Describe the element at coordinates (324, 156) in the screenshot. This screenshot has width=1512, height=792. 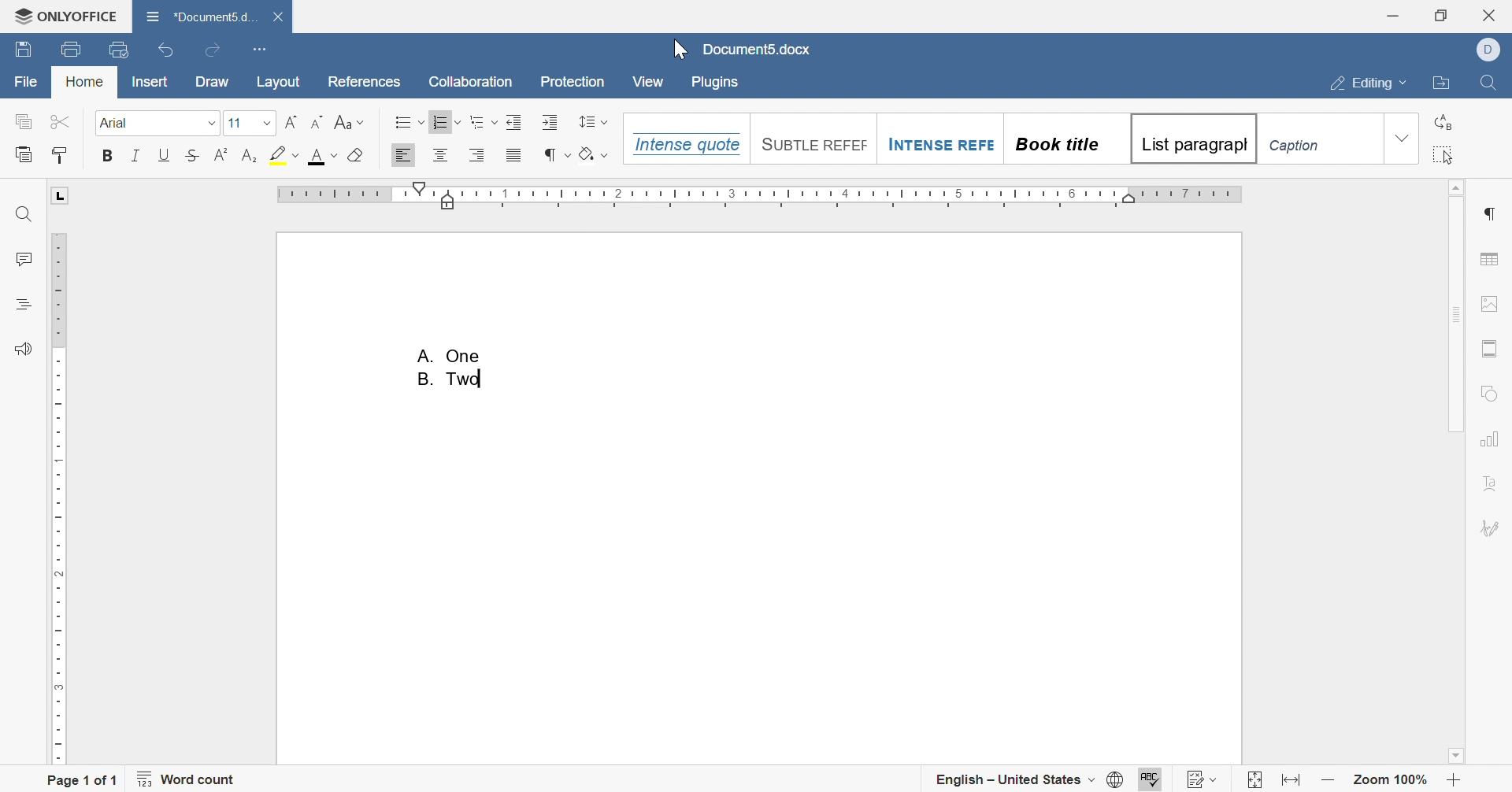
I see `font color` at that location.